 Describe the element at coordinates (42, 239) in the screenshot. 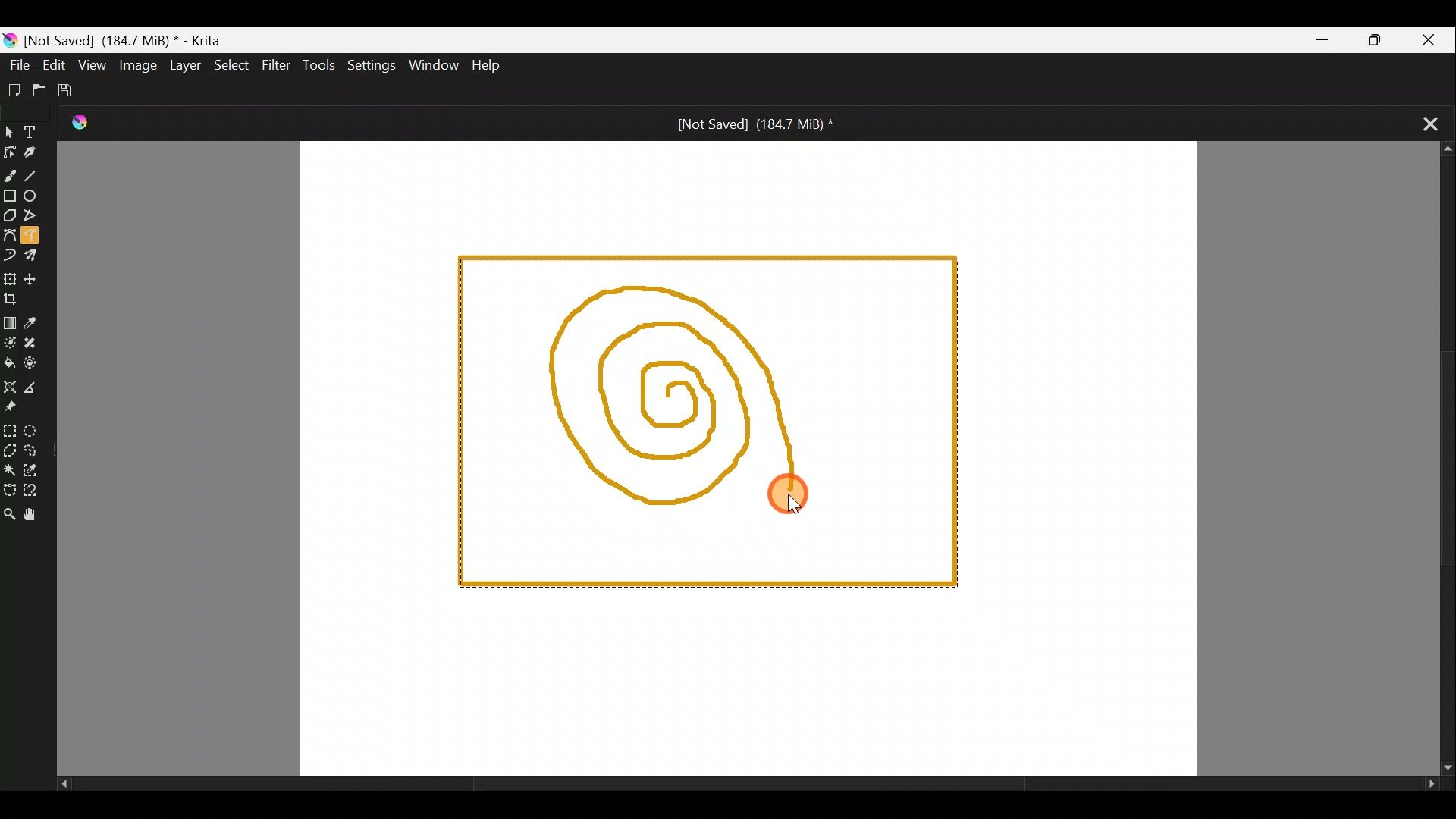

I see `Freehand path tool` at that location.